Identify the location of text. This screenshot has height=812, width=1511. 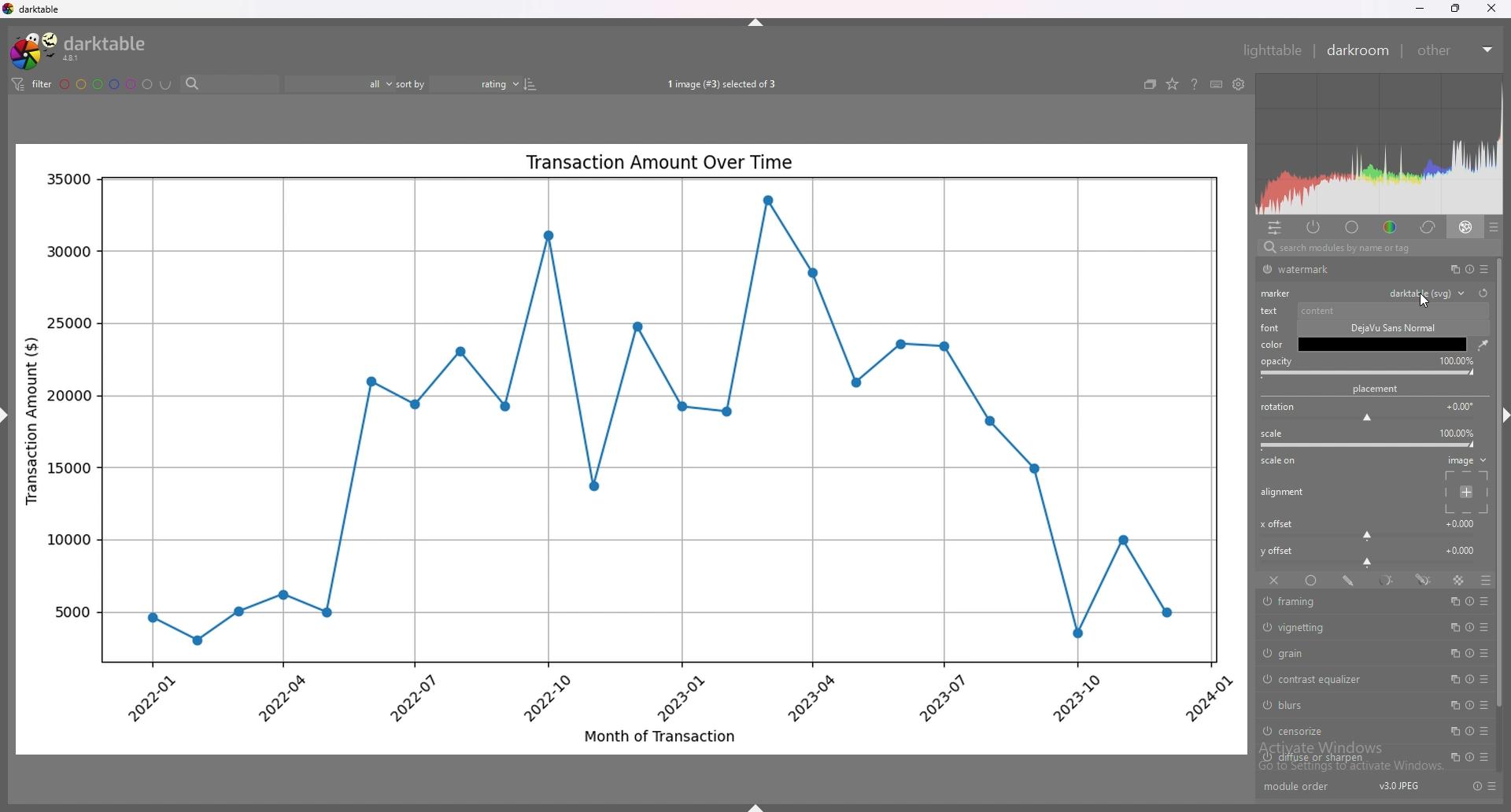
(1272, 311).